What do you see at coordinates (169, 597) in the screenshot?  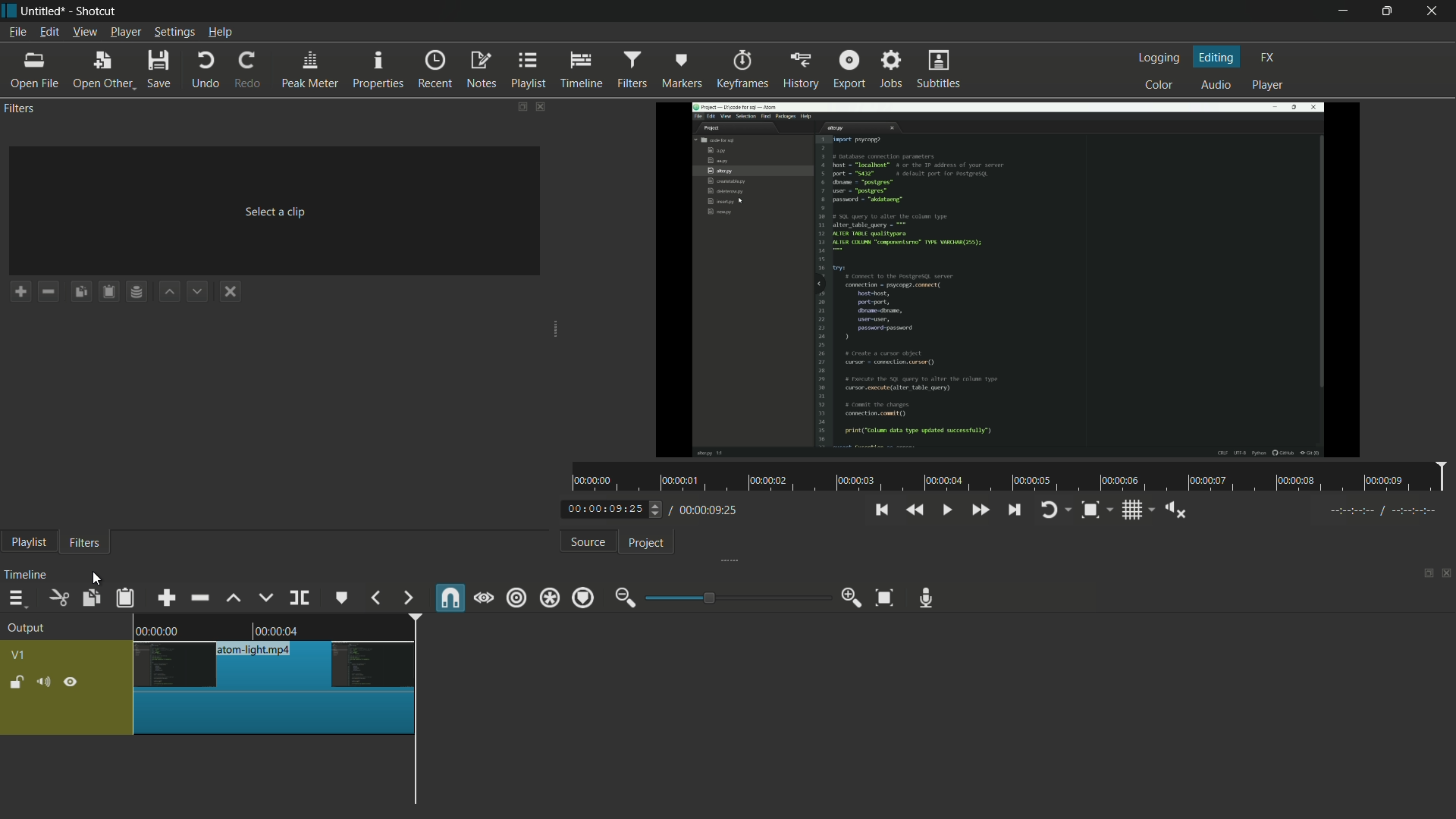 I see `append` at bounding box center [169, 597].